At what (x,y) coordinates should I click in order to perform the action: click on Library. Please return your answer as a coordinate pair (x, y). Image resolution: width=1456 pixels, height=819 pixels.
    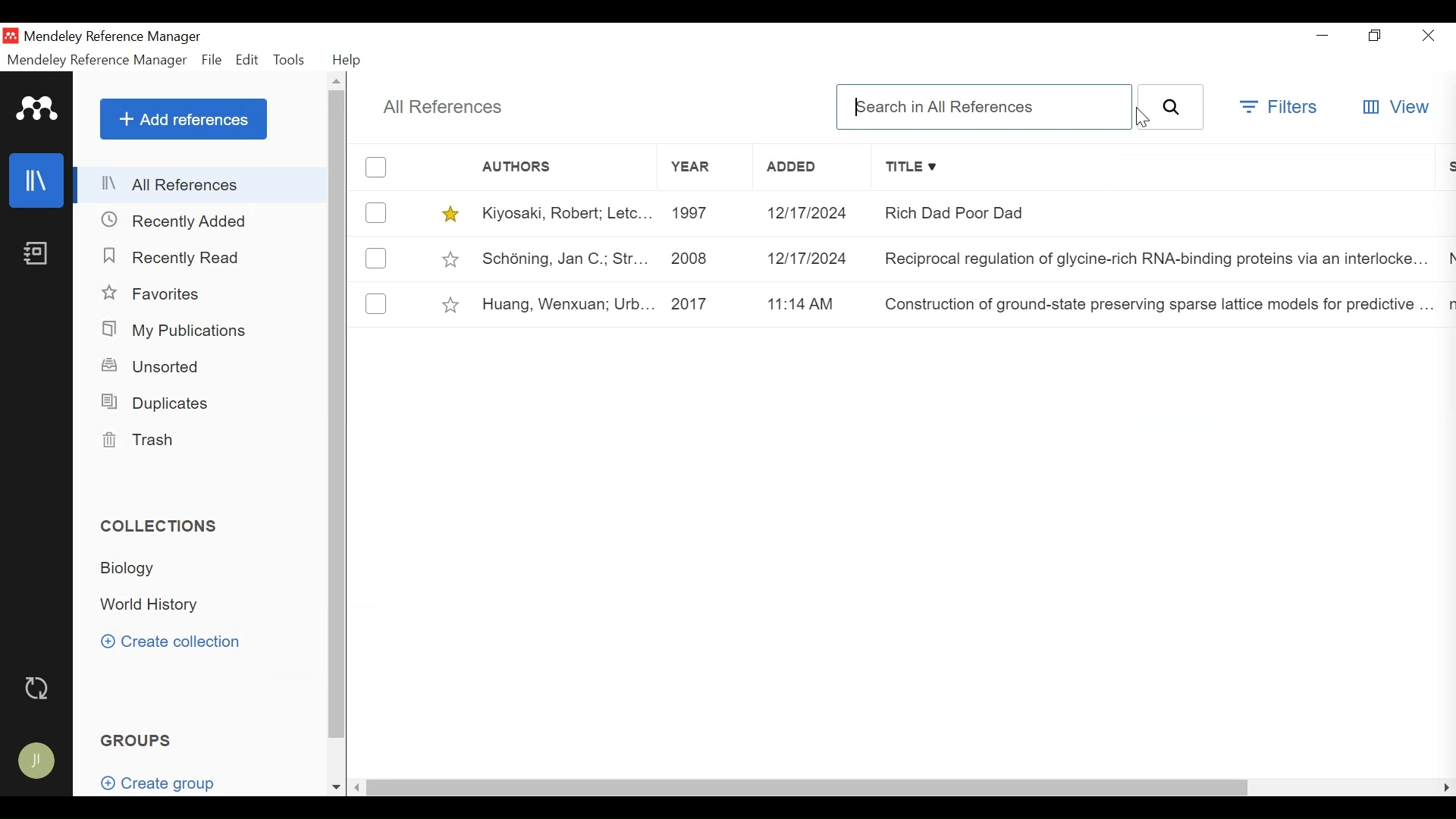
    Looking at the image, I should click on (38, 180).